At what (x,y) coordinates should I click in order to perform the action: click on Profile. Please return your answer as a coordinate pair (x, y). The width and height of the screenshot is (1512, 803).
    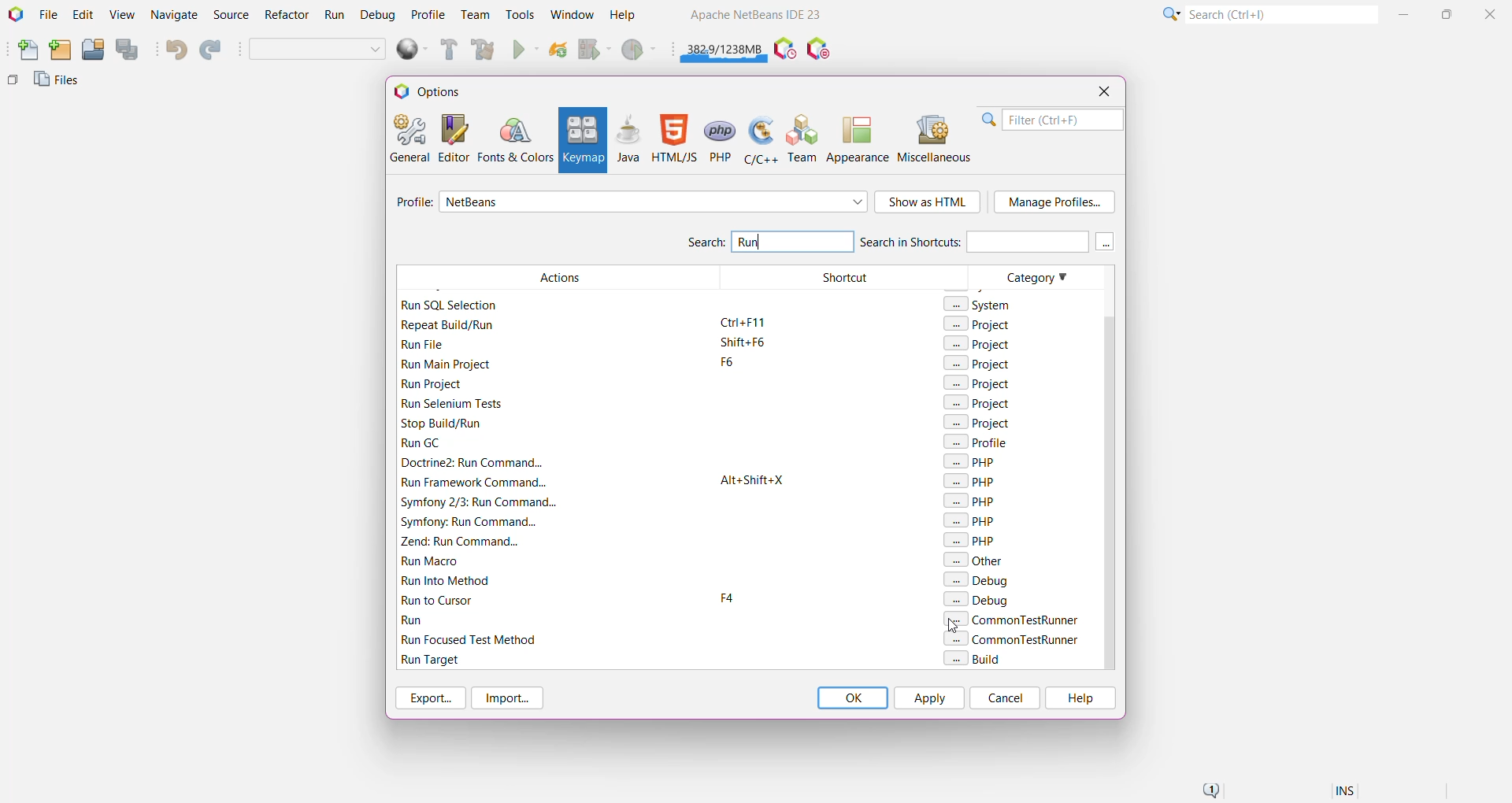
    Looking at the image, I should click on (412, 204).